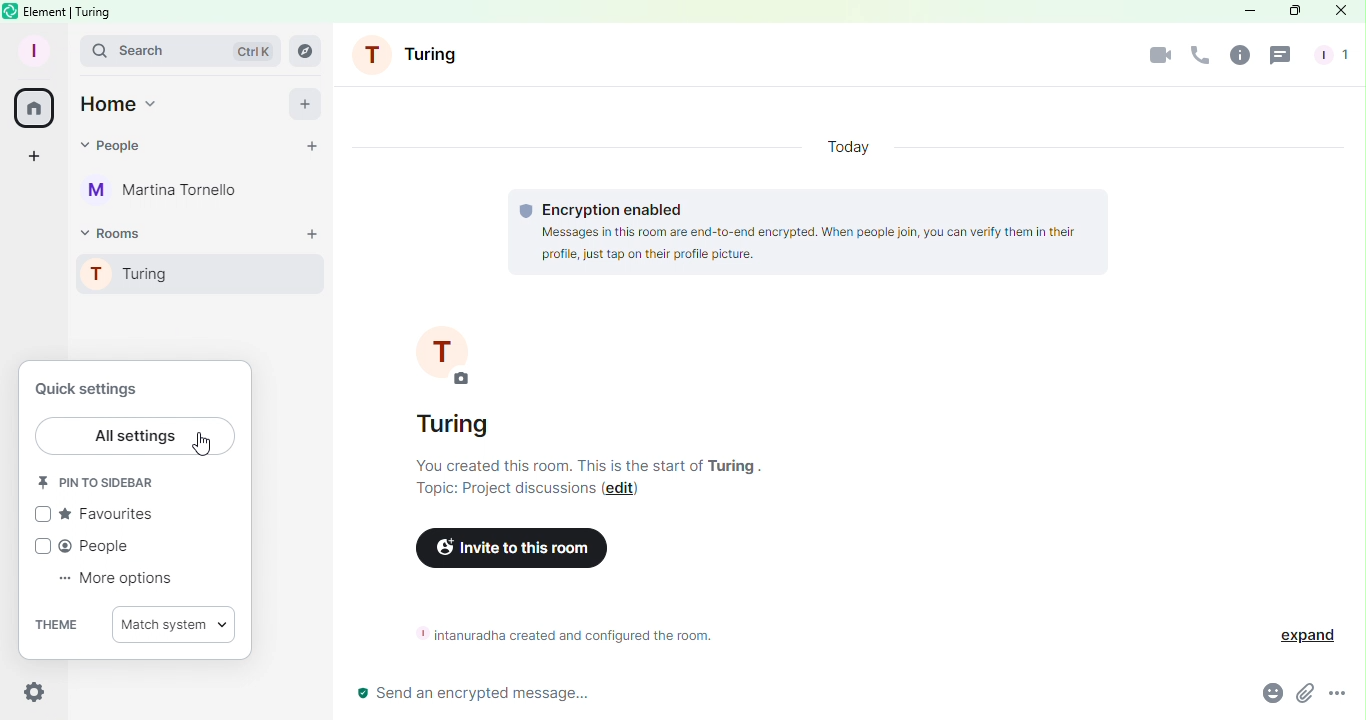 The image size is (1366, 720). Describe the element at coordinates (12, 10) in the screenshot. I see `Element icon` at that location.